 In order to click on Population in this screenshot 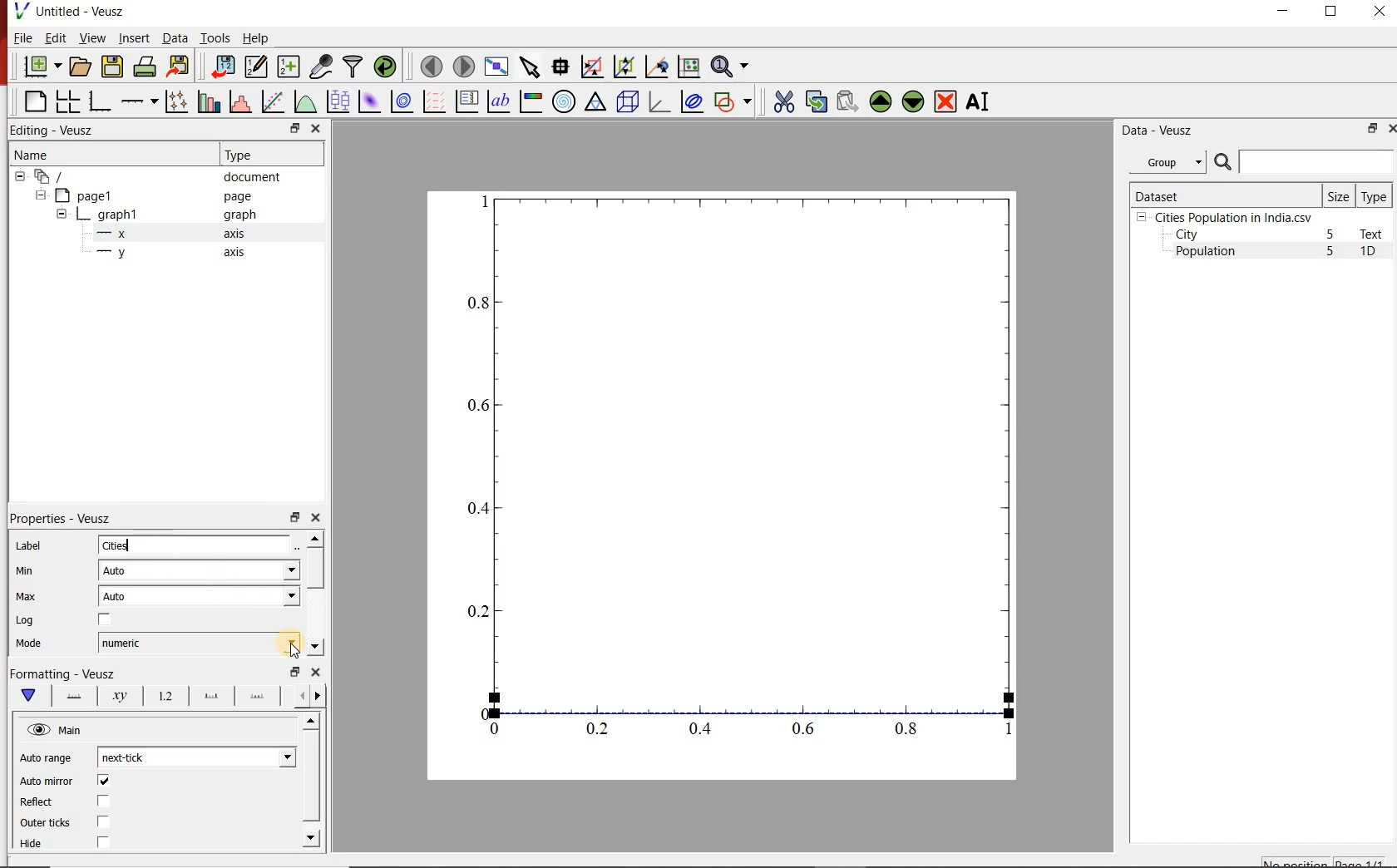, I will do `click(1206, 253)`.